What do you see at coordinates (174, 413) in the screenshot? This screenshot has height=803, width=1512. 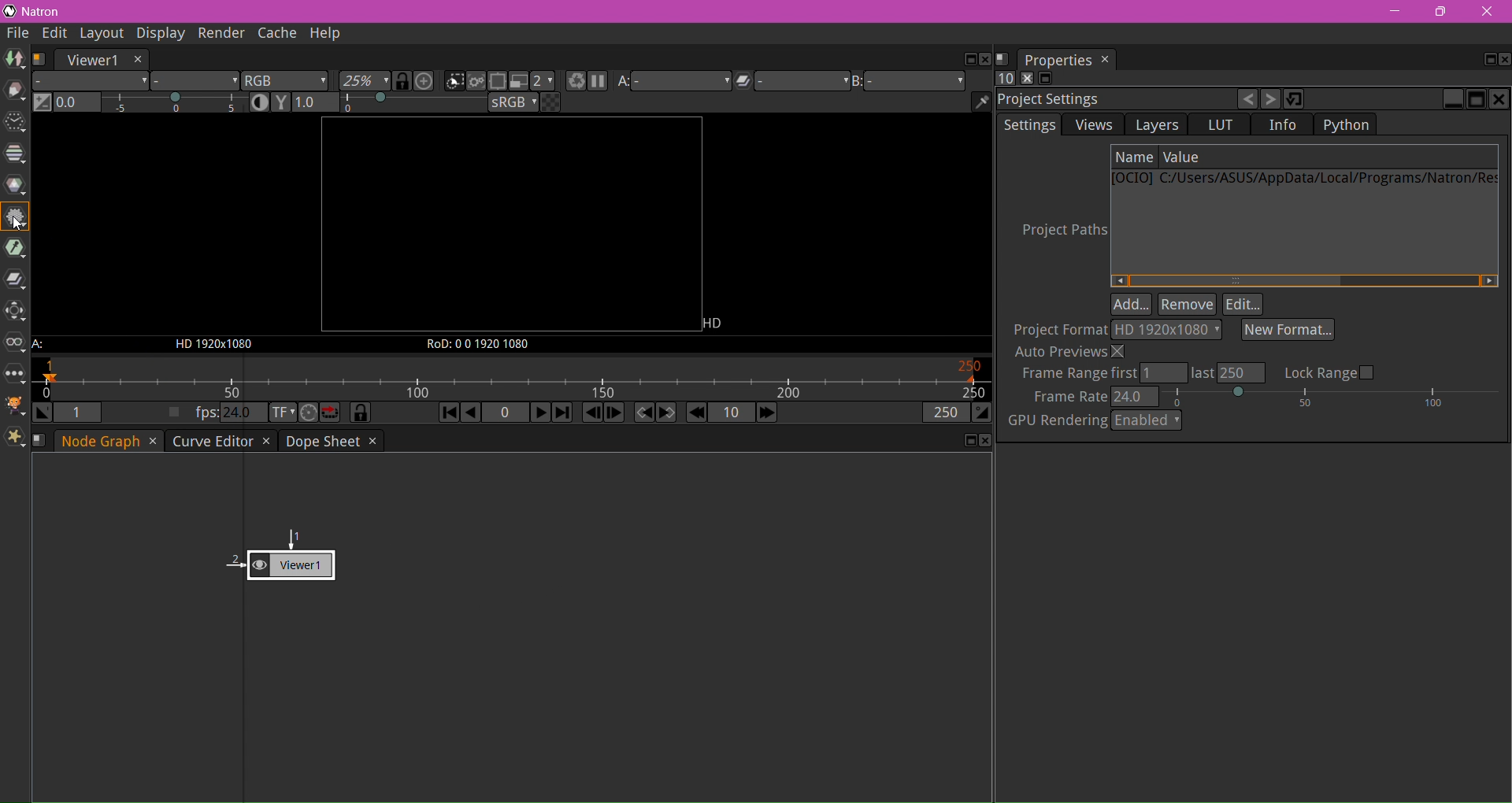 I see `When unchecked, the playback frame rte is automaticaly set from the Viewer A input` at bounding box center [174, 413].